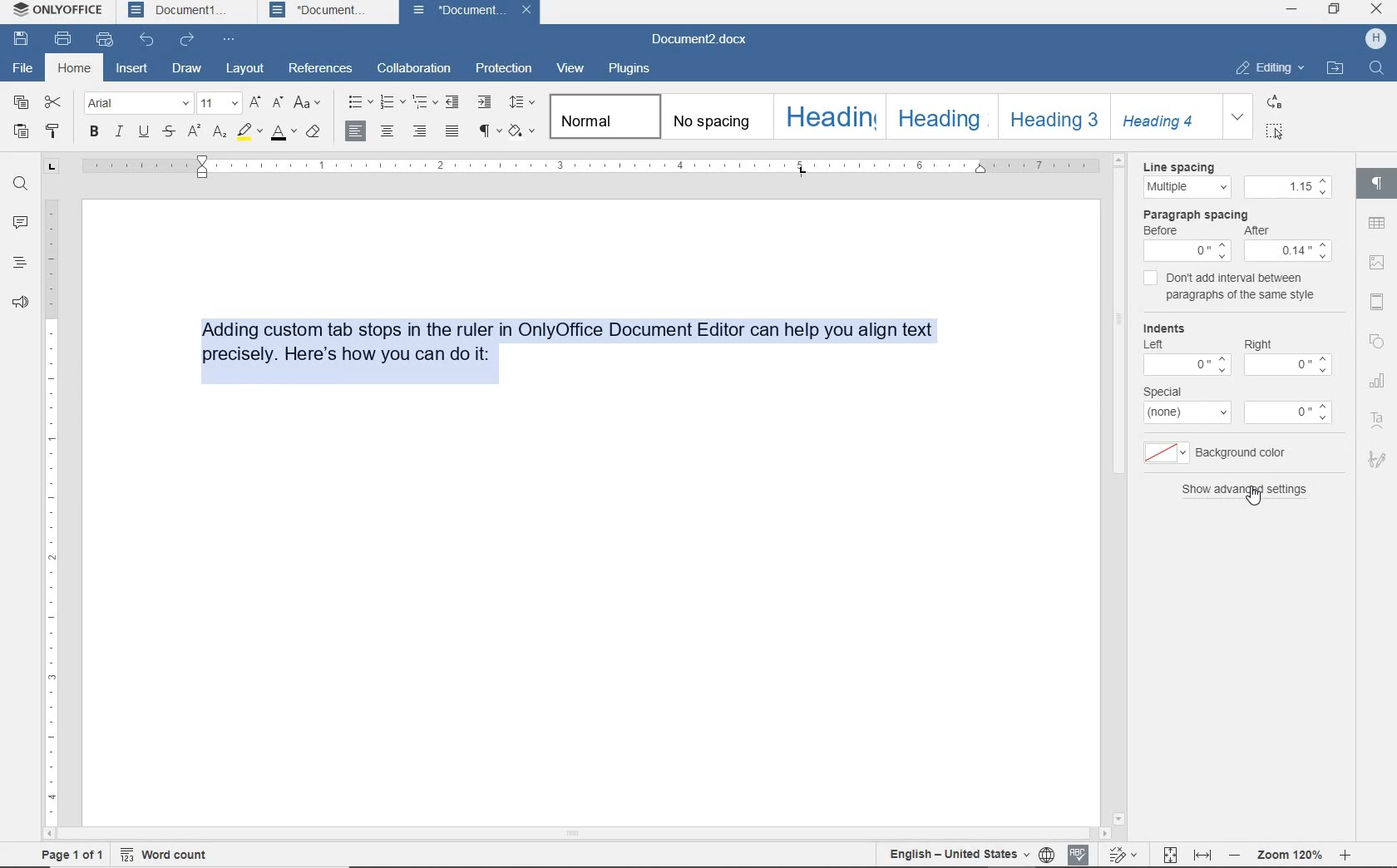  What do you see at coordinates (1246, 287) in the screenshot?
I see `don't add interval between paragraphs of the same style` at bounding box center [1246, 287].